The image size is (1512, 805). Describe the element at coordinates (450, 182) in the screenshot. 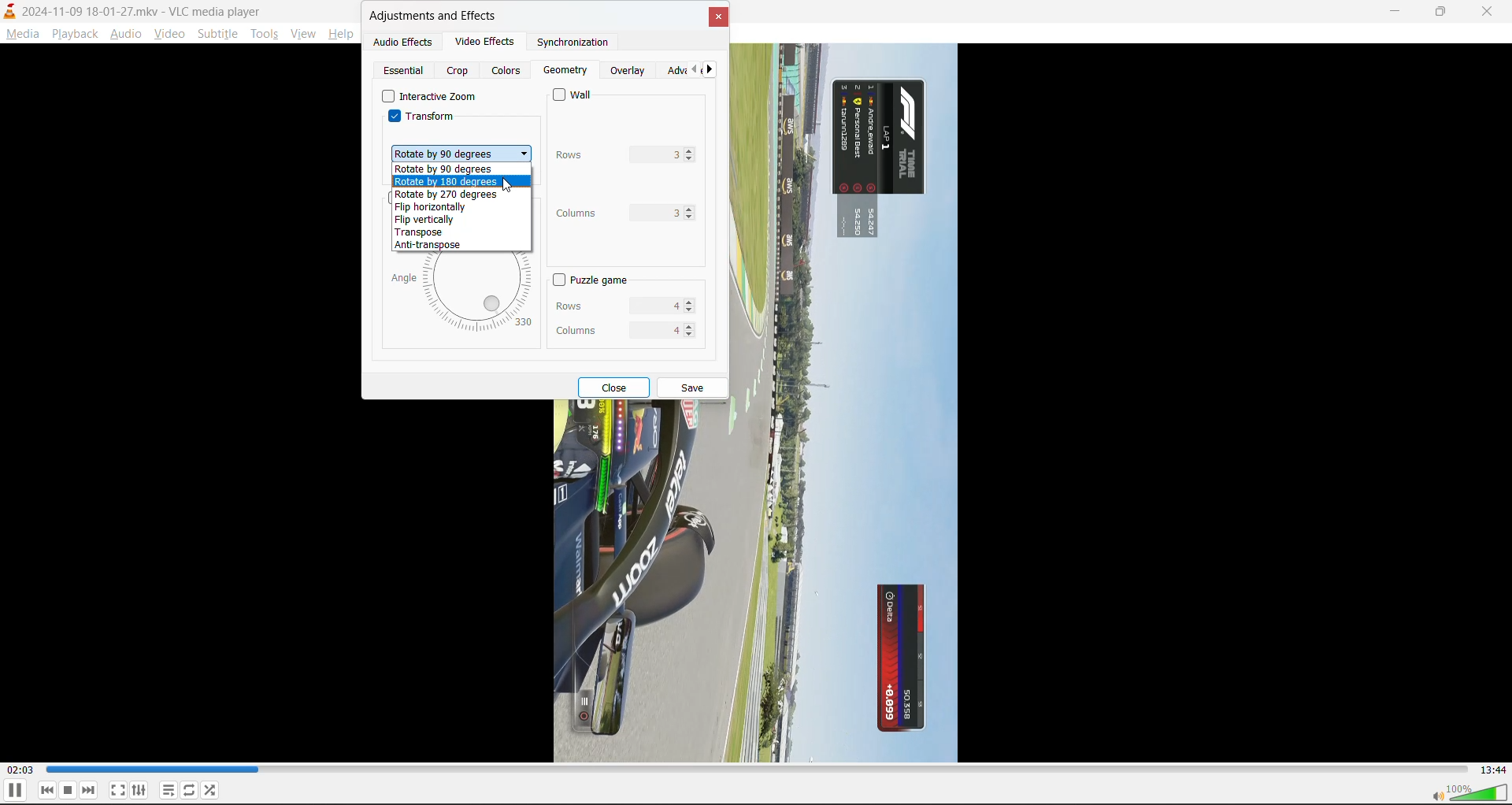

I see `rotate 180 degrees` at that location.